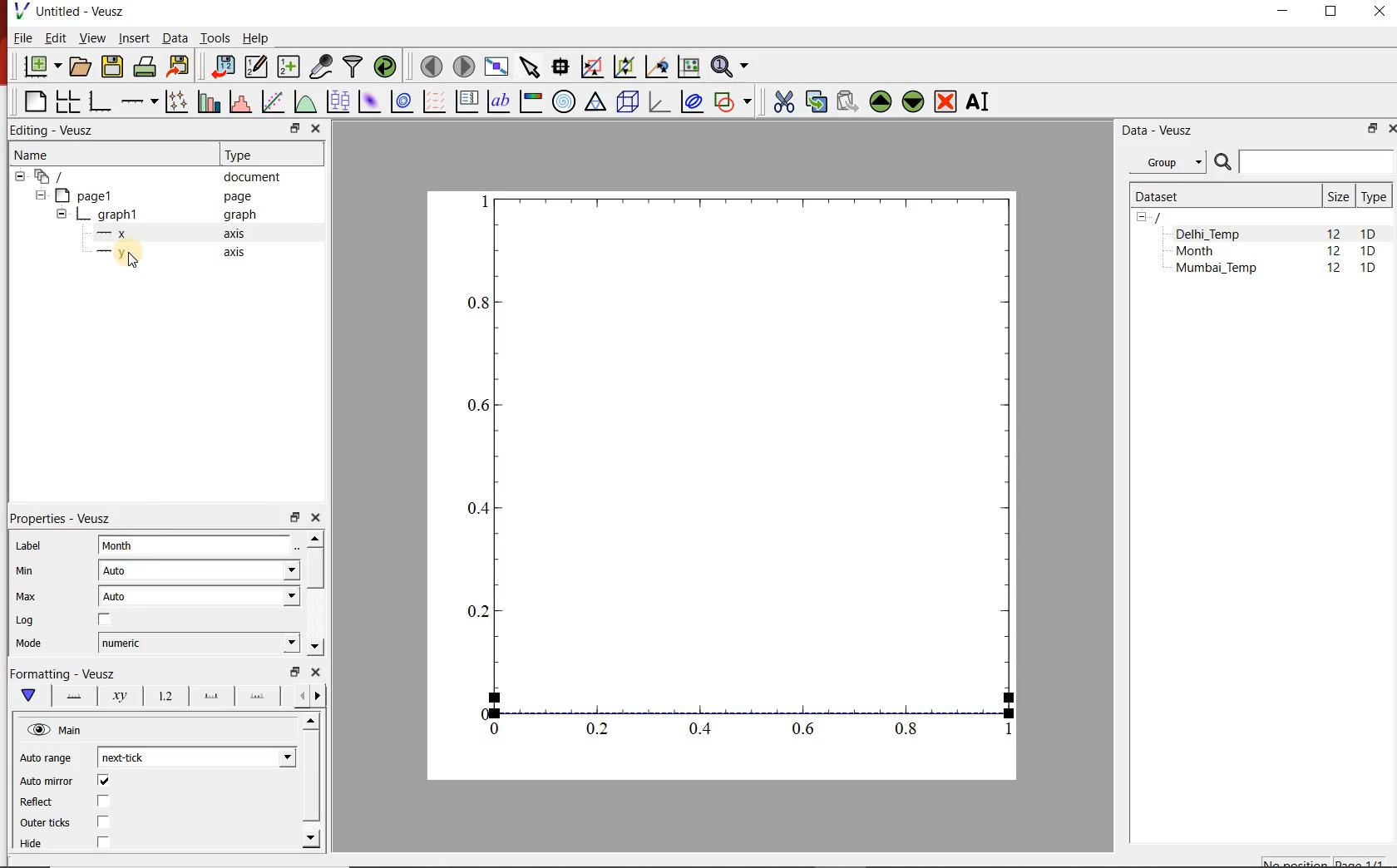 Image resolution: width=1397 pixels, height=868 pixels. Describe the element at coordinates (294, 516) in the screenshot. I see `restore` at that location.